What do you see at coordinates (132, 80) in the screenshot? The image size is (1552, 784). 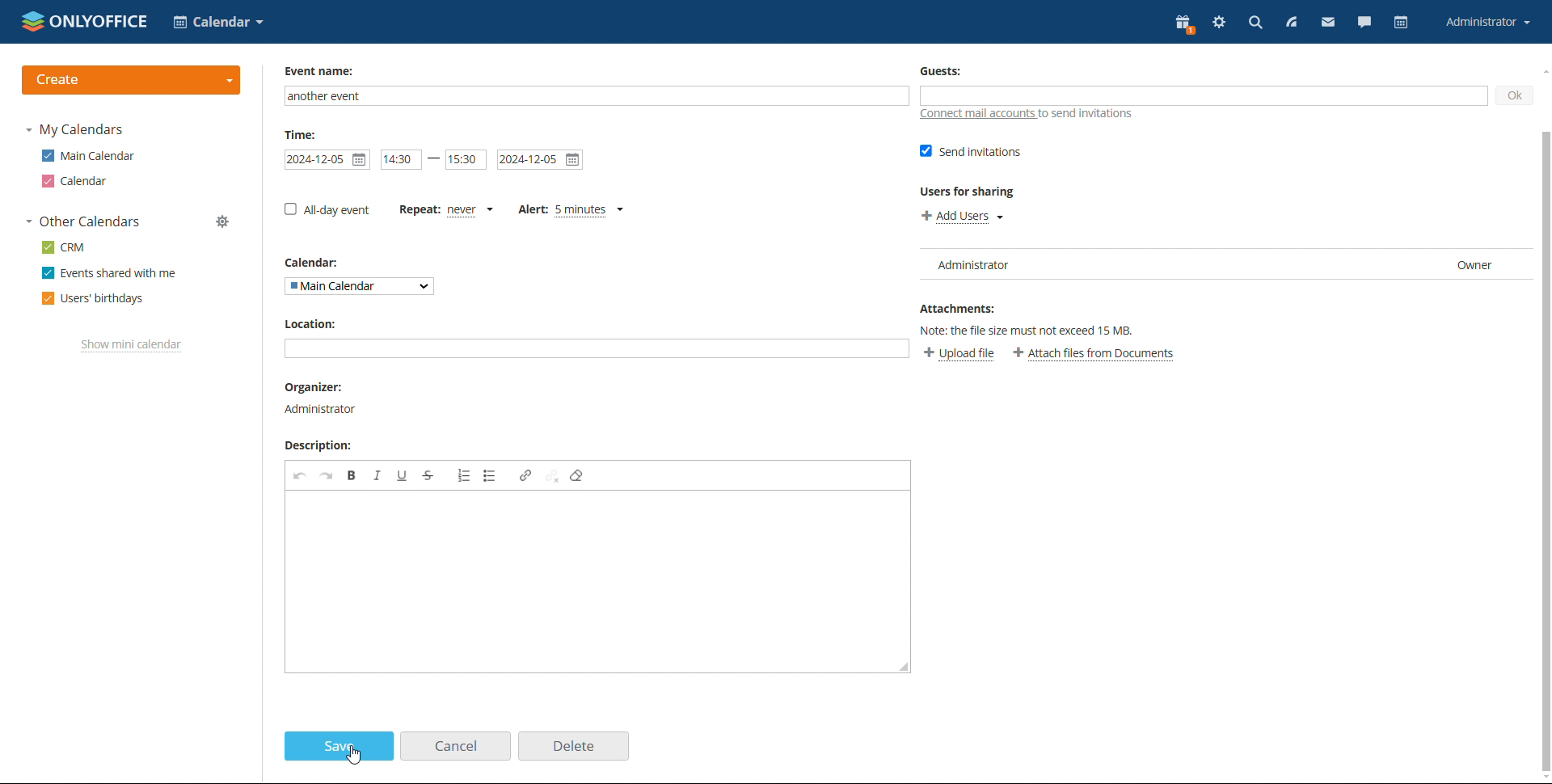 I see `create` at bounding box center [132, 80].